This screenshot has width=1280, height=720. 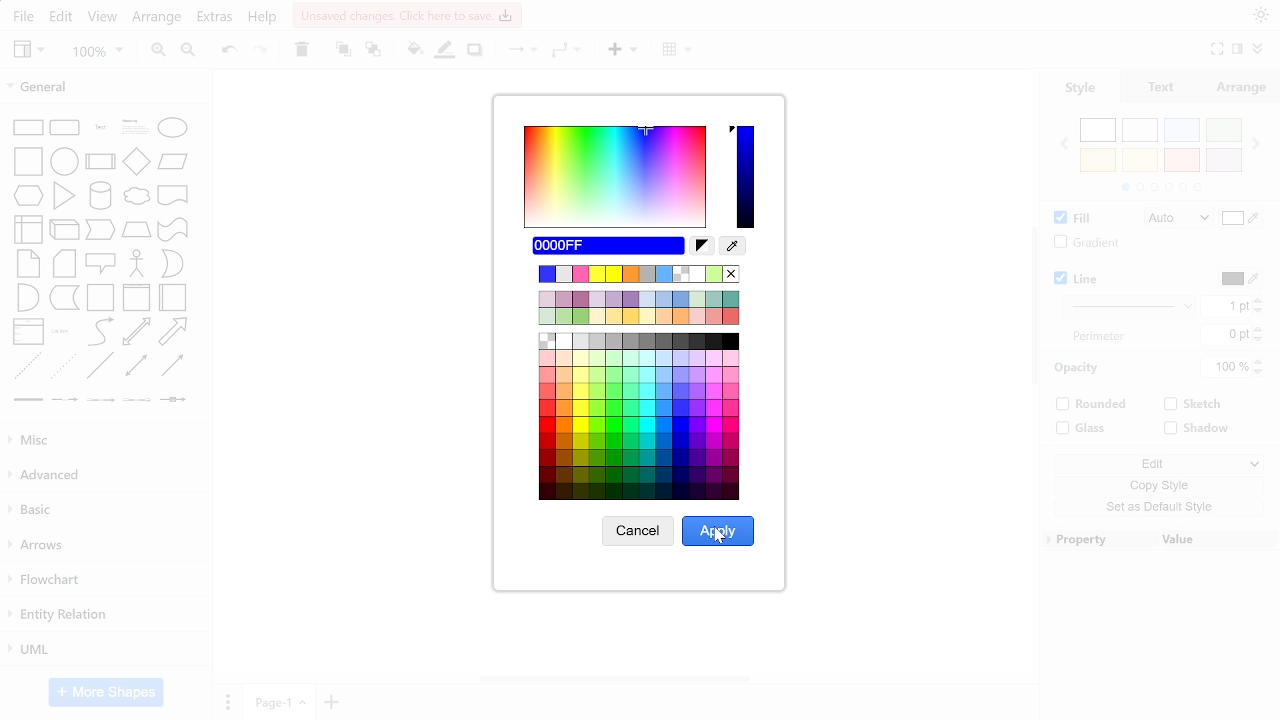 What do you see at coordinates (748, 175) in the screenshot?
I see `current color spectrum` at bounding box center [748, 175].